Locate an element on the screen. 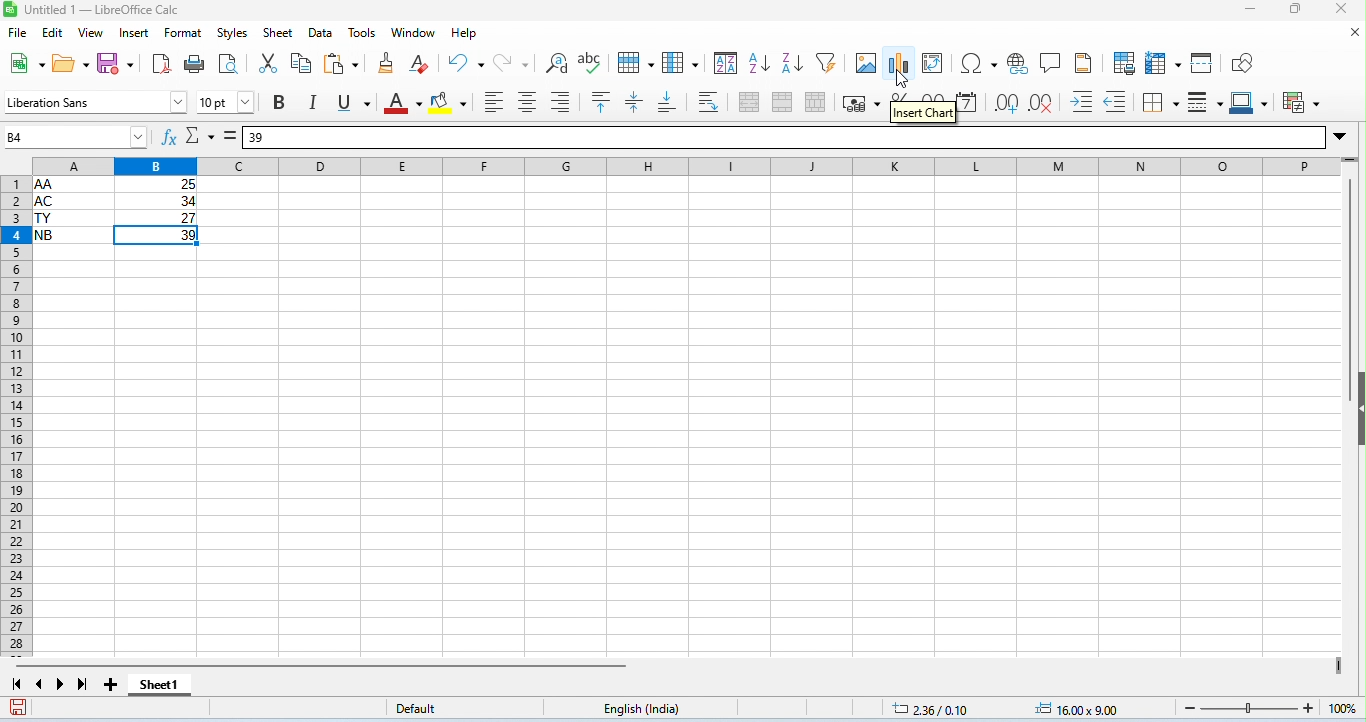  cursor is located at coordinates (904, 79).